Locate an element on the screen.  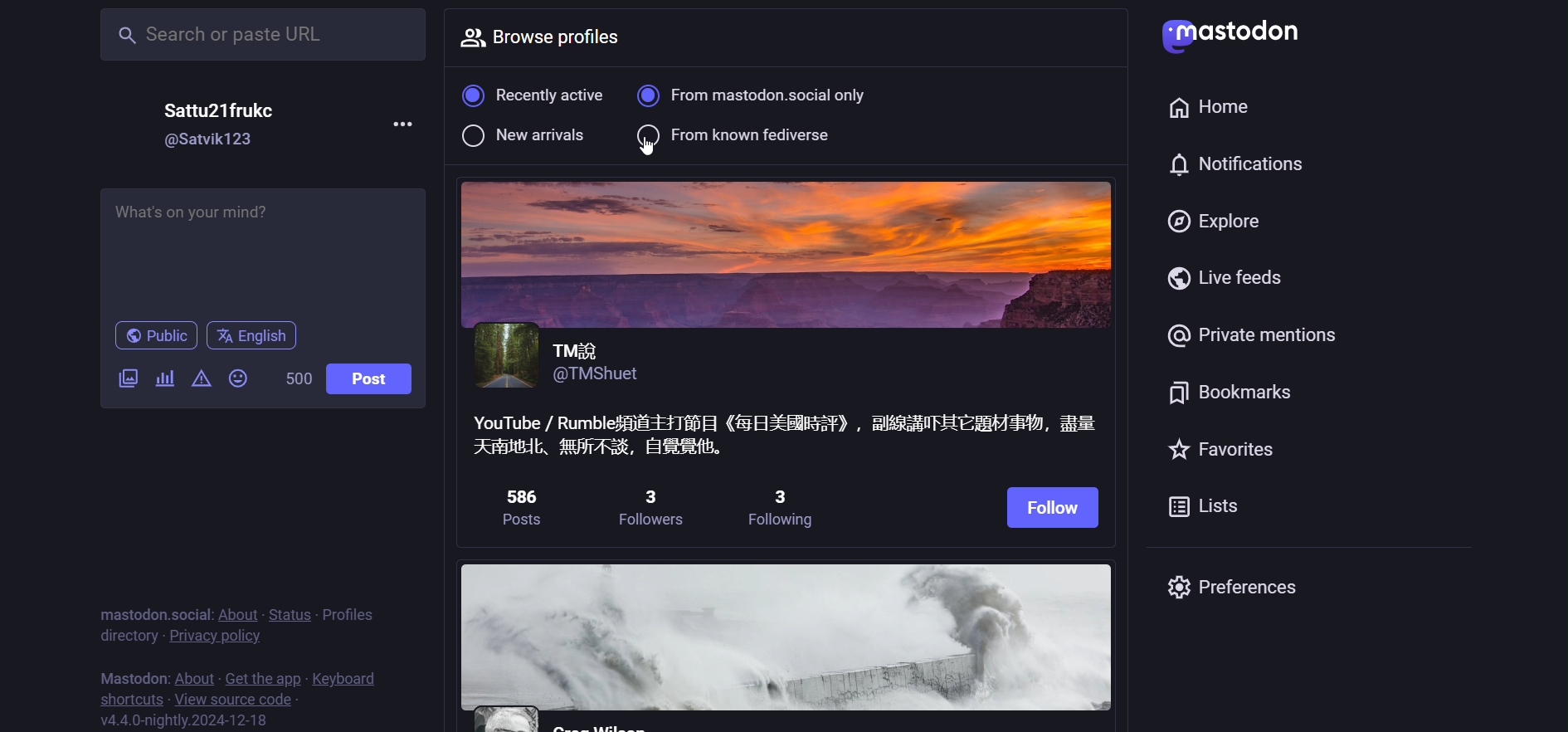
public is located at coordinates (158, 336).